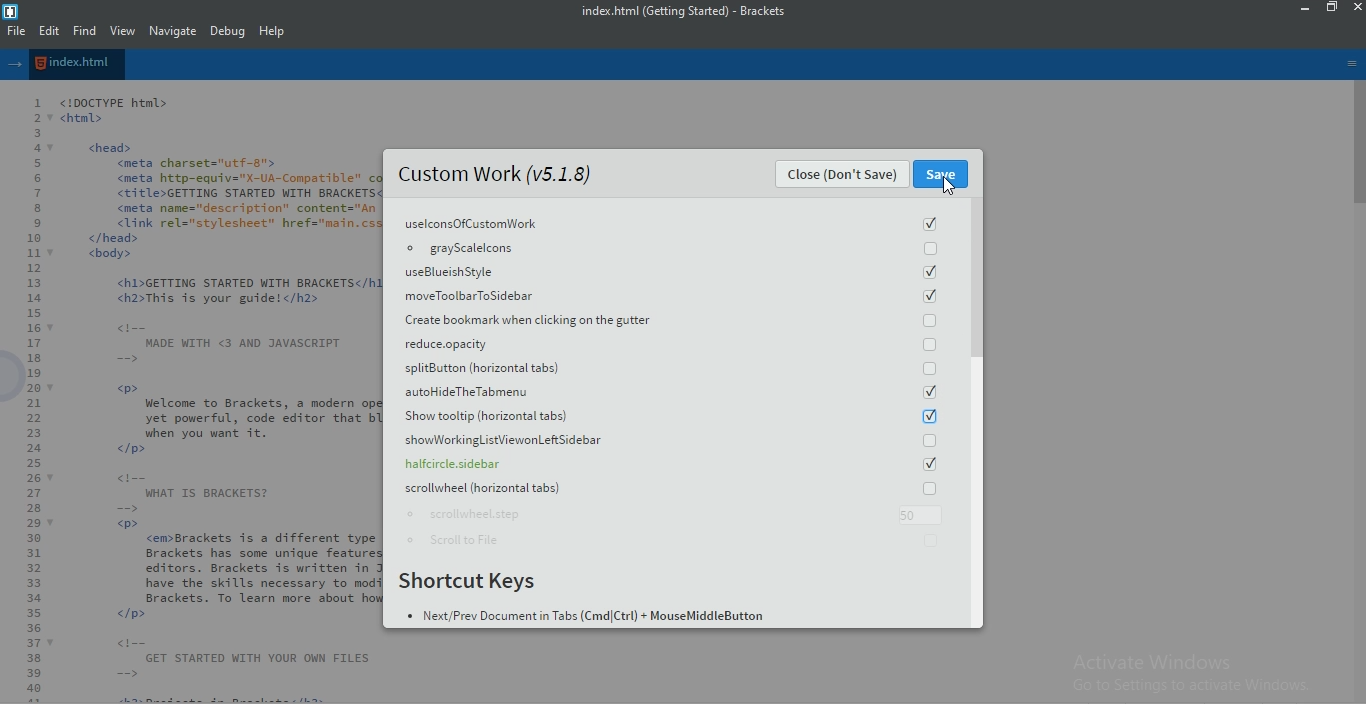  Describe the element at coordinates (675, 417) in the screenshot. I see `Show tooltip(horizontal tabs)` at that location.